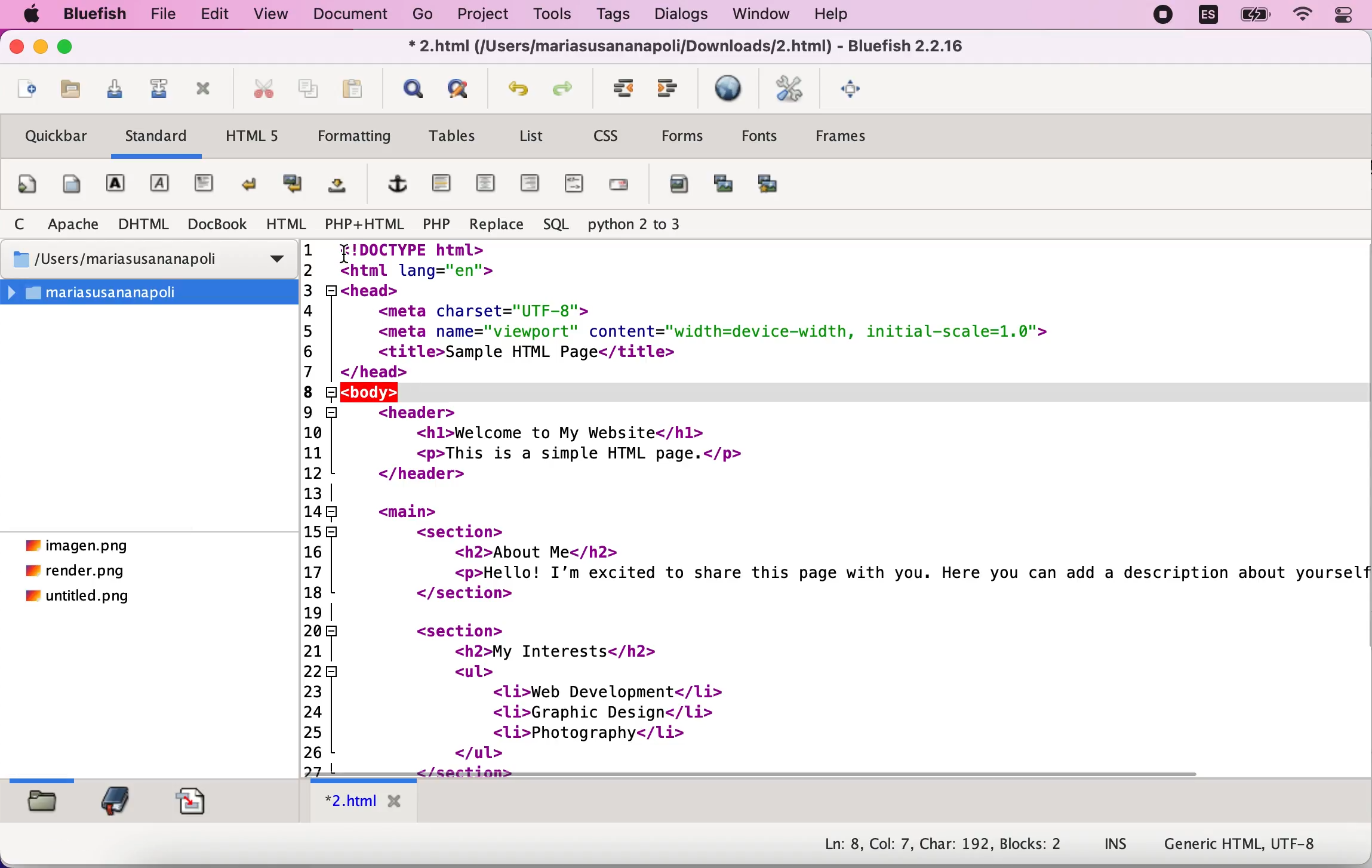 This screenshot has height=868, width=1372. I want to click on view, so click(273, 14).